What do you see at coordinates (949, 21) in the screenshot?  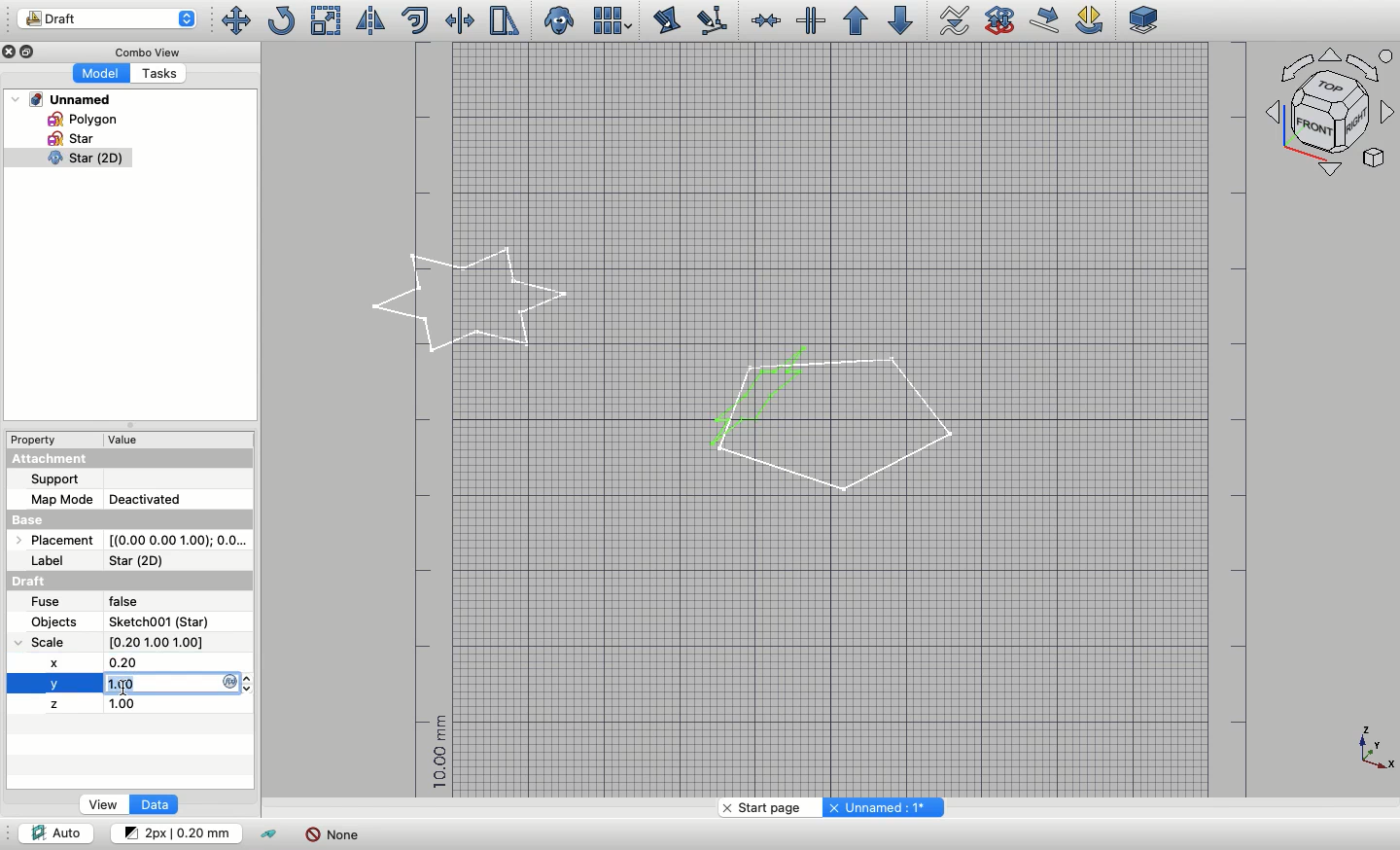 I see `Wire to b-spline` at bounding box center [949, 21].